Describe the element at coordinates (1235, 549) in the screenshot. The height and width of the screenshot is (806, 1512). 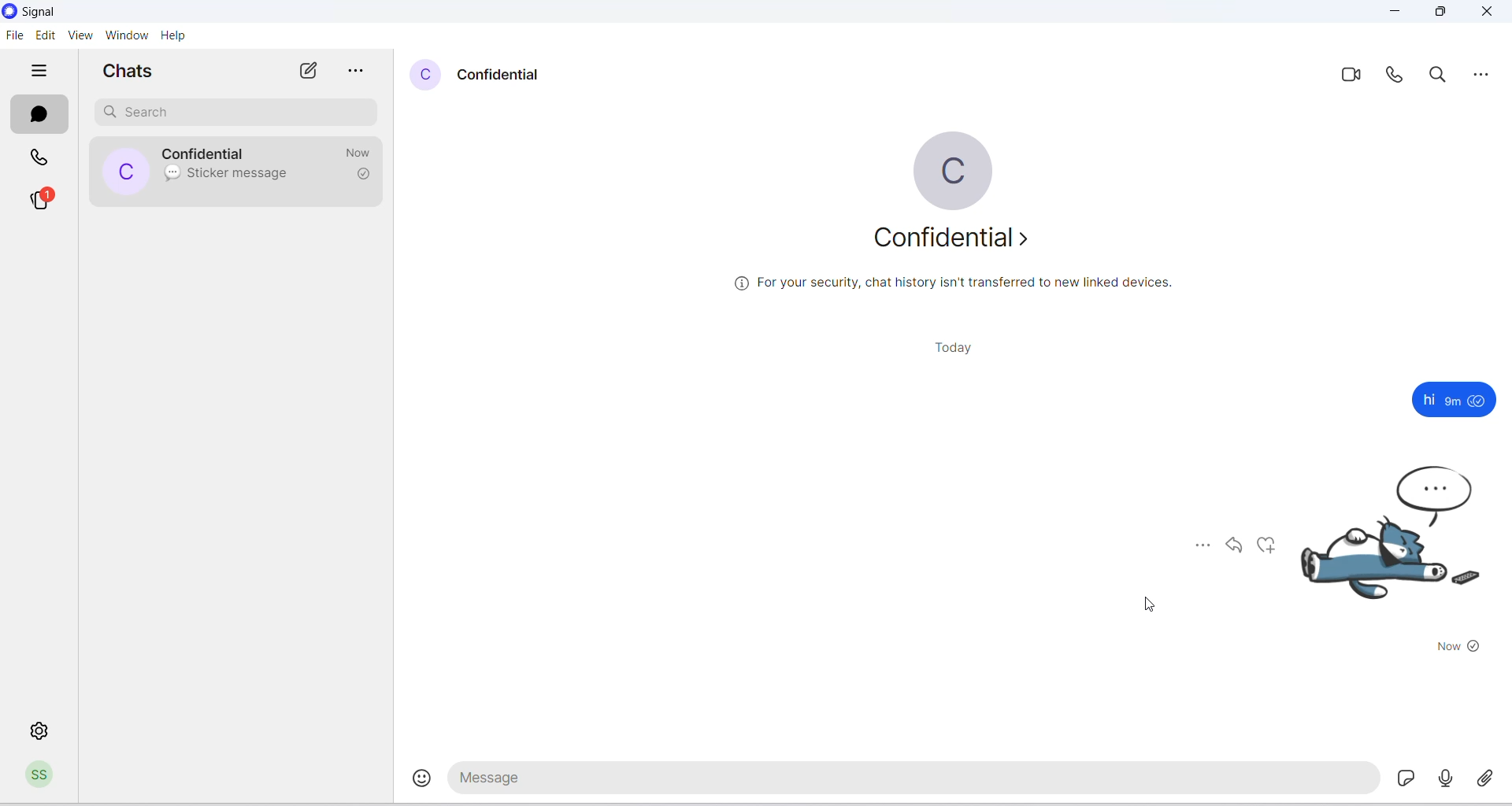
I see `reply` at that location.